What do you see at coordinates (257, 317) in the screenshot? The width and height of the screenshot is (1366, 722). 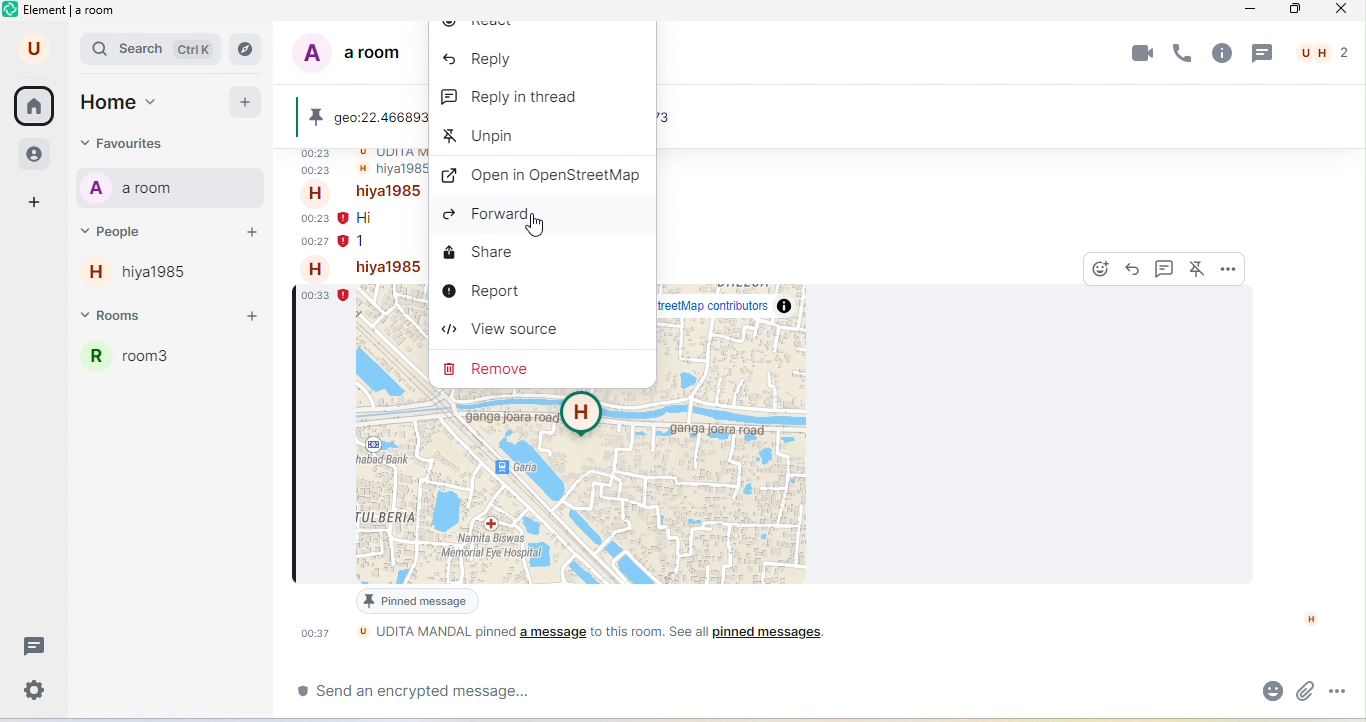 I see `add room` at bounding box center [257, 317].